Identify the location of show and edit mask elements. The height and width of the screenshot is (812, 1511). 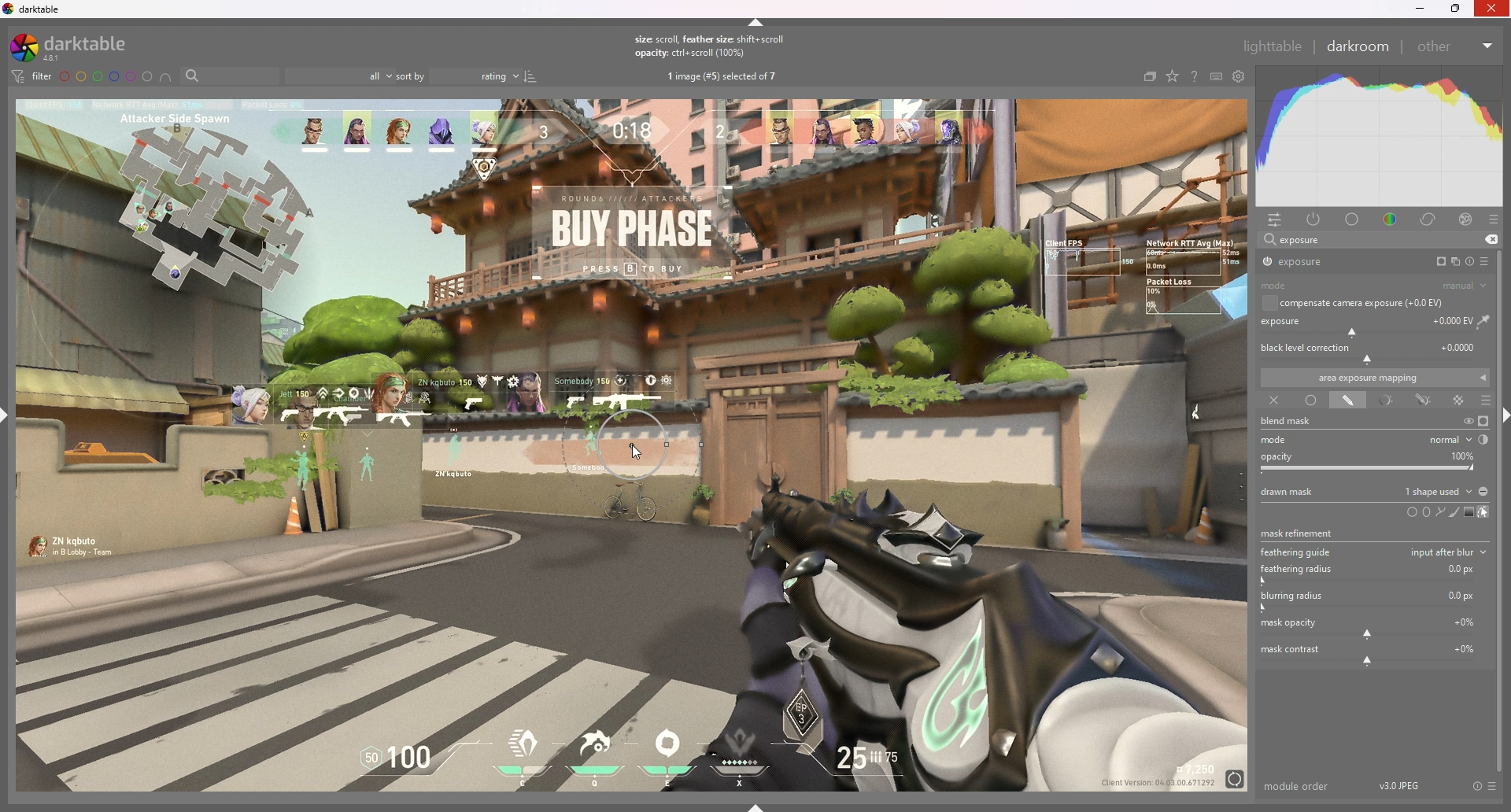
(1484, 512).